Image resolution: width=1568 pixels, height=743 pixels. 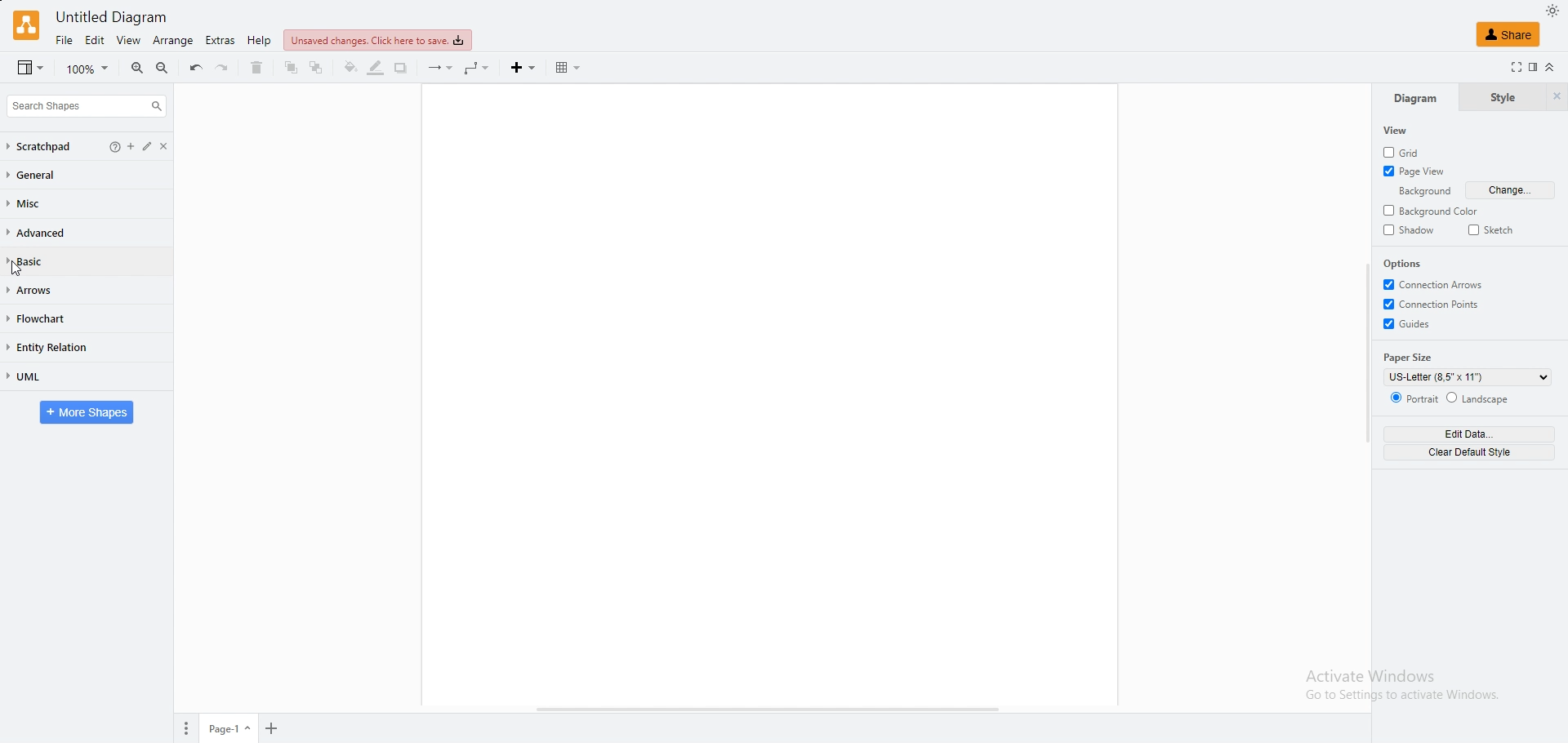 What do you see at coordinates (1408, 150) in the screenshot?
I see `grid` at bounding box center [1408, 150].